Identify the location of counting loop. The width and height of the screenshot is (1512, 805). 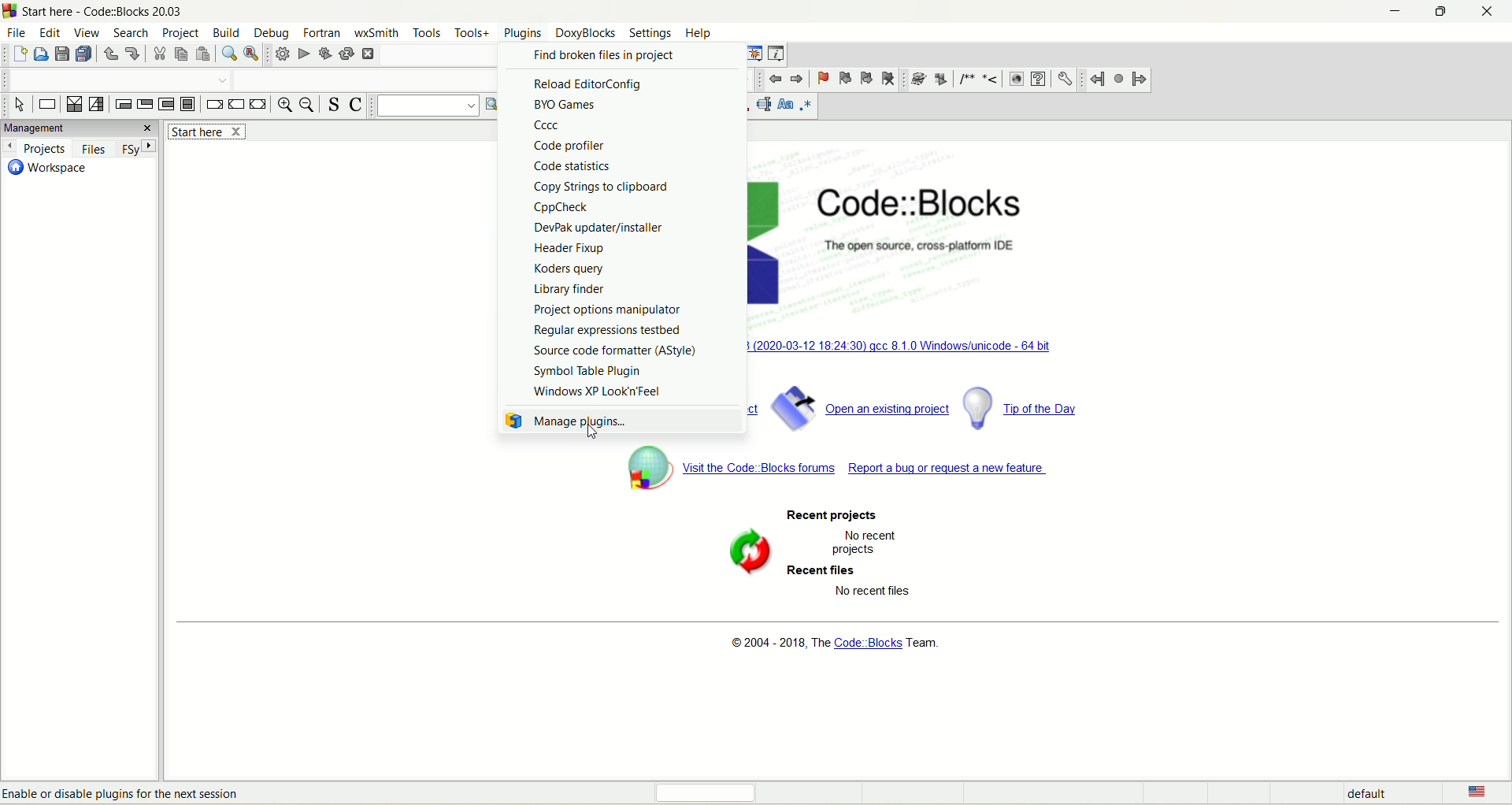
(166, 105).